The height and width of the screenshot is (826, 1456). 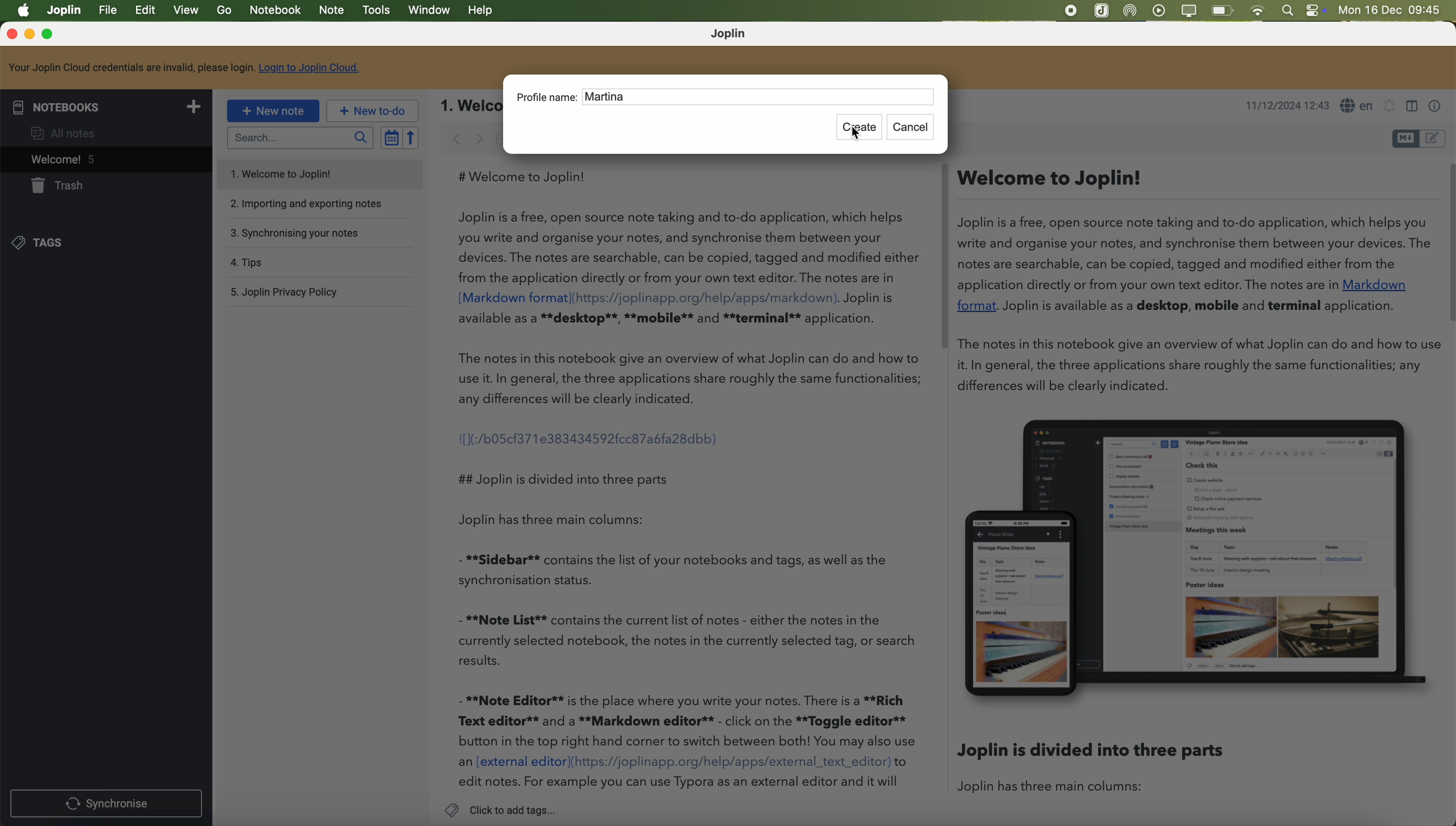 What do you see at coordinates (1436, 137) in the screenshot?
I see `toggle editors` at bounding box center [1436, 137].